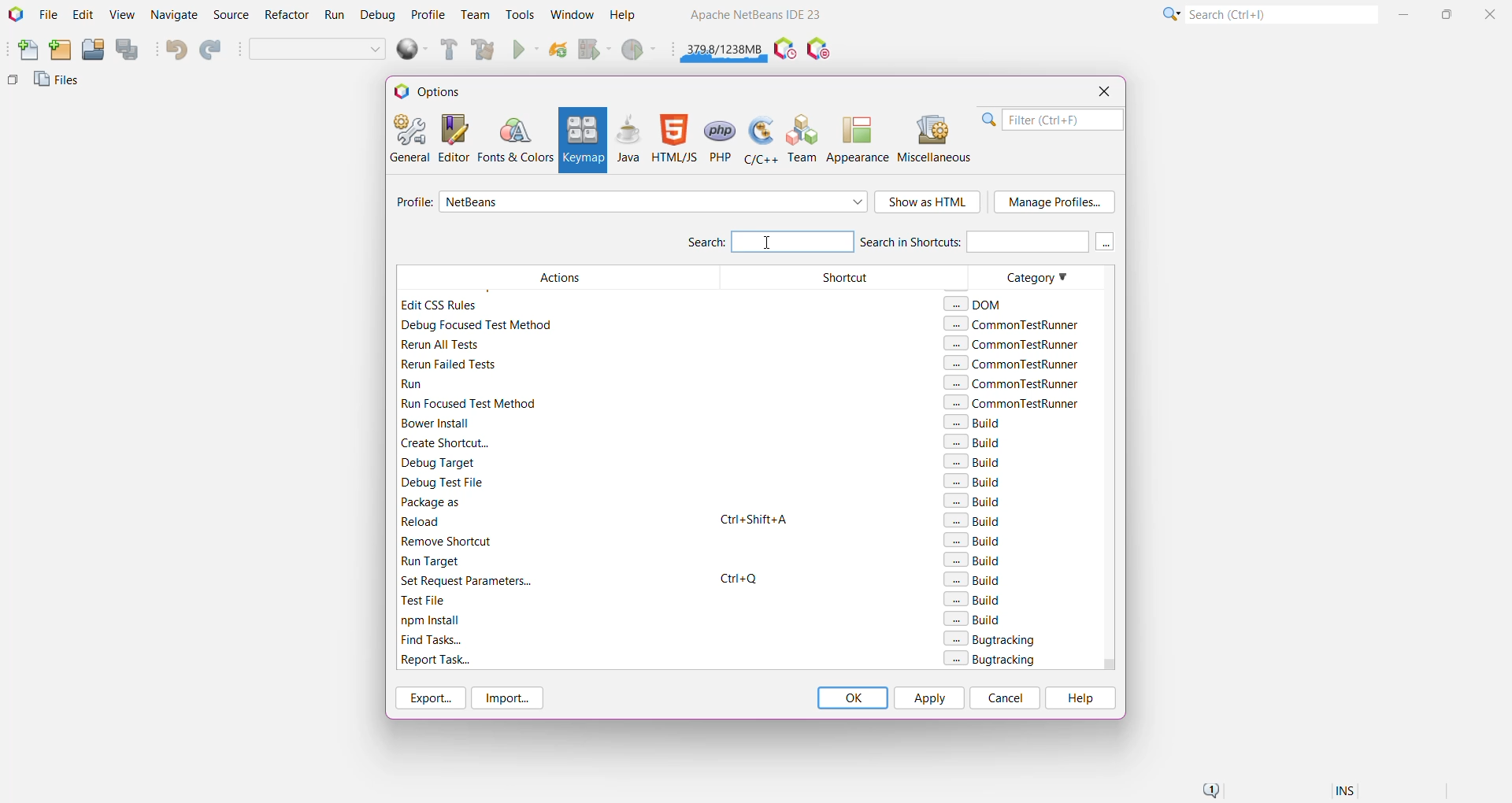  What do you see at coordinates (447, 50) in the screenshot?
I see `Build Main Project` at bounding box center [447, 50].